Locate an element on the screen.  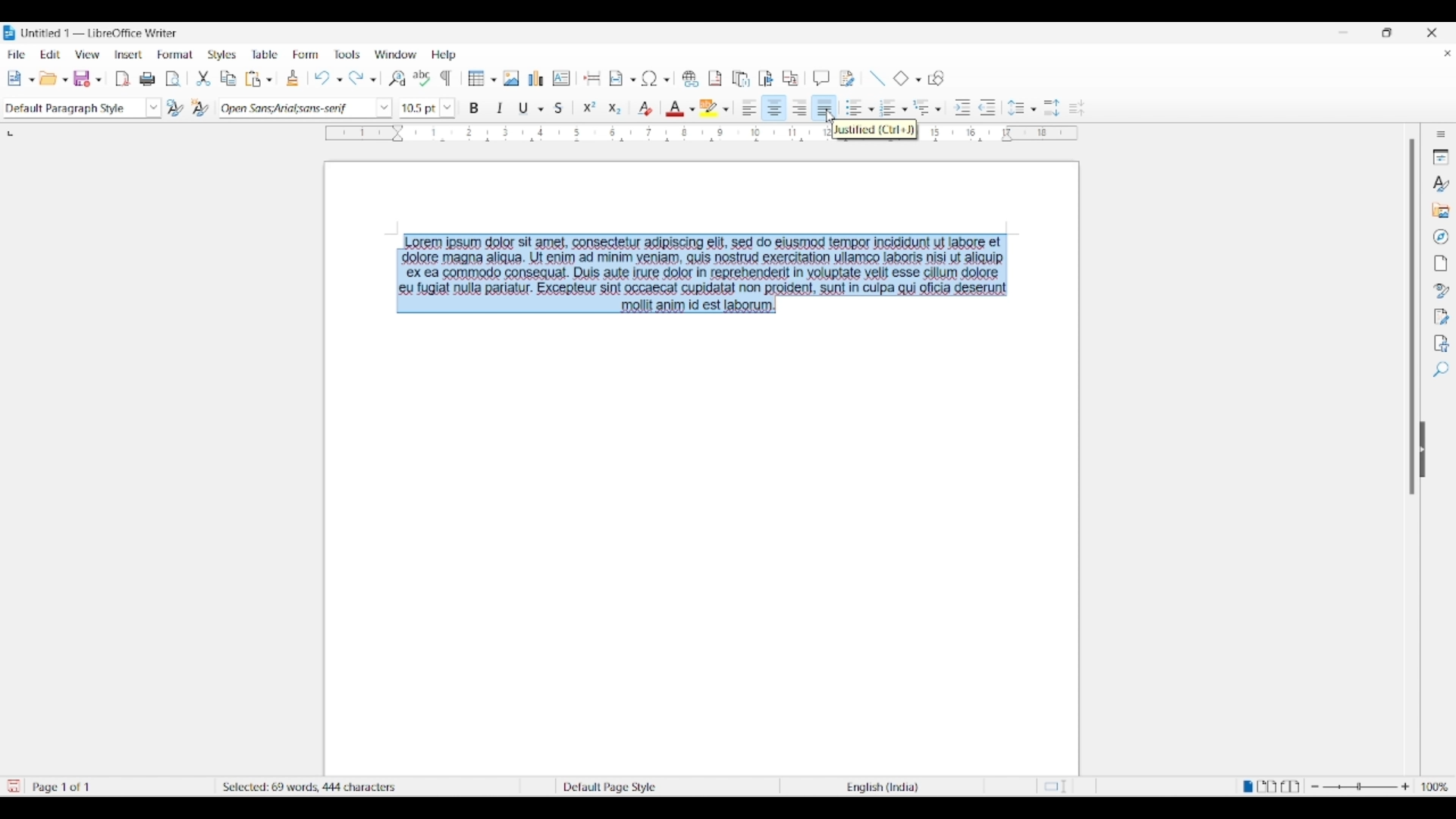
100% is located at coordinates (1436, 786).